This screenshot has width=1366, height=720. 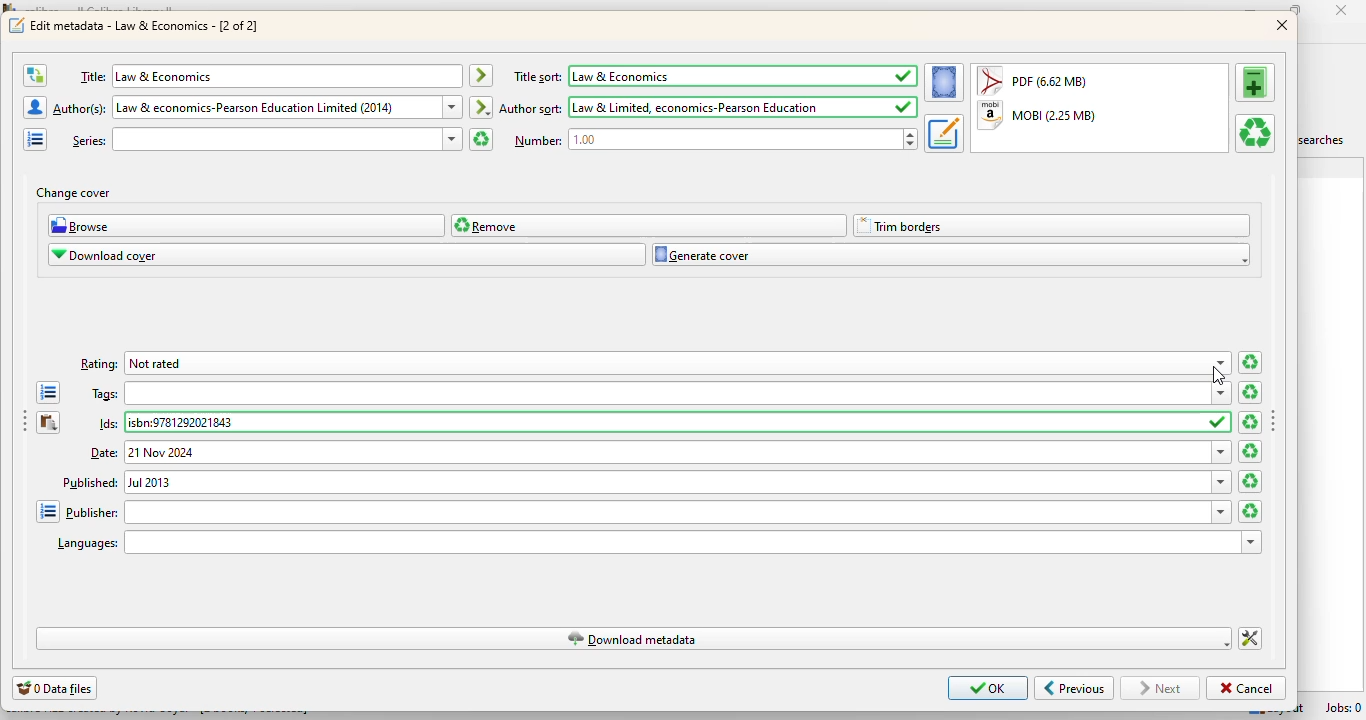 What do you see at coordinates (481, 76) in the screenshot?
I see `immediately create the title sort entry based on the the current title entry` at bounding box center [481, 76].